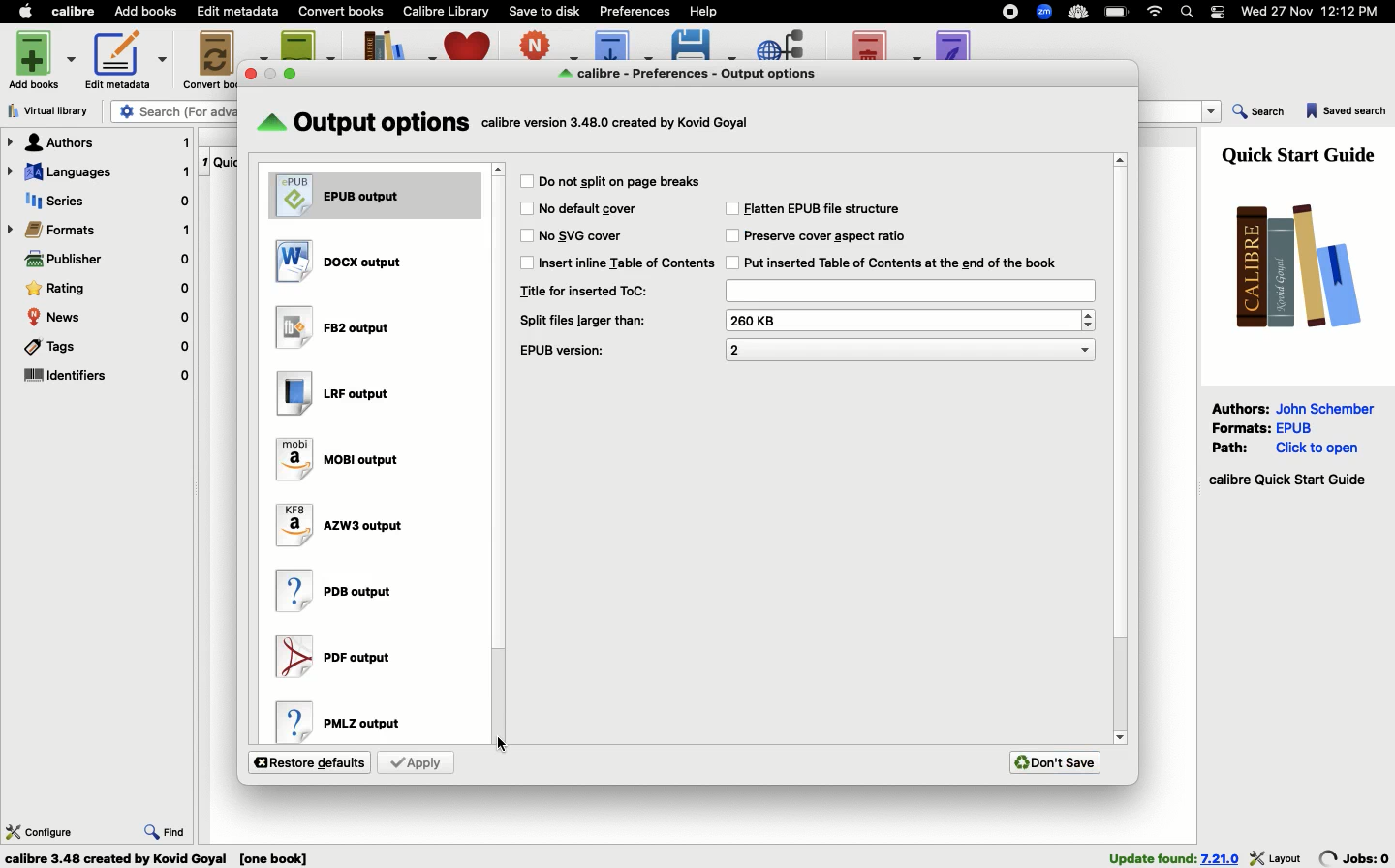 The width and height of the screenshot is (1395, 868). What do you see at coordinates (731, 263) in the screenshot?
I see `Checkbox` at bounding box center [731, 263].